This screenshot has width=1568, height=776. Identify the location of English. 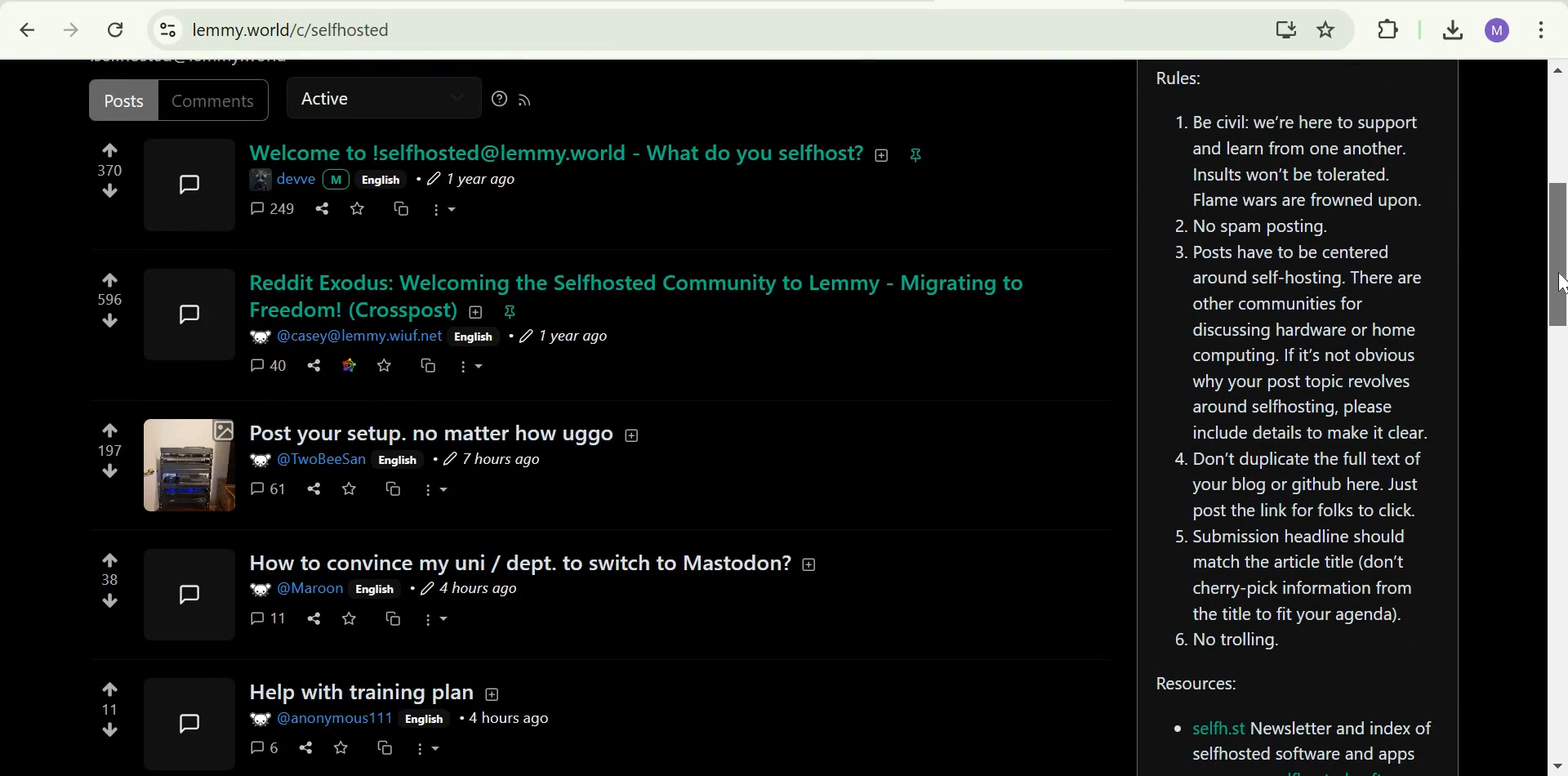
(399, 460).